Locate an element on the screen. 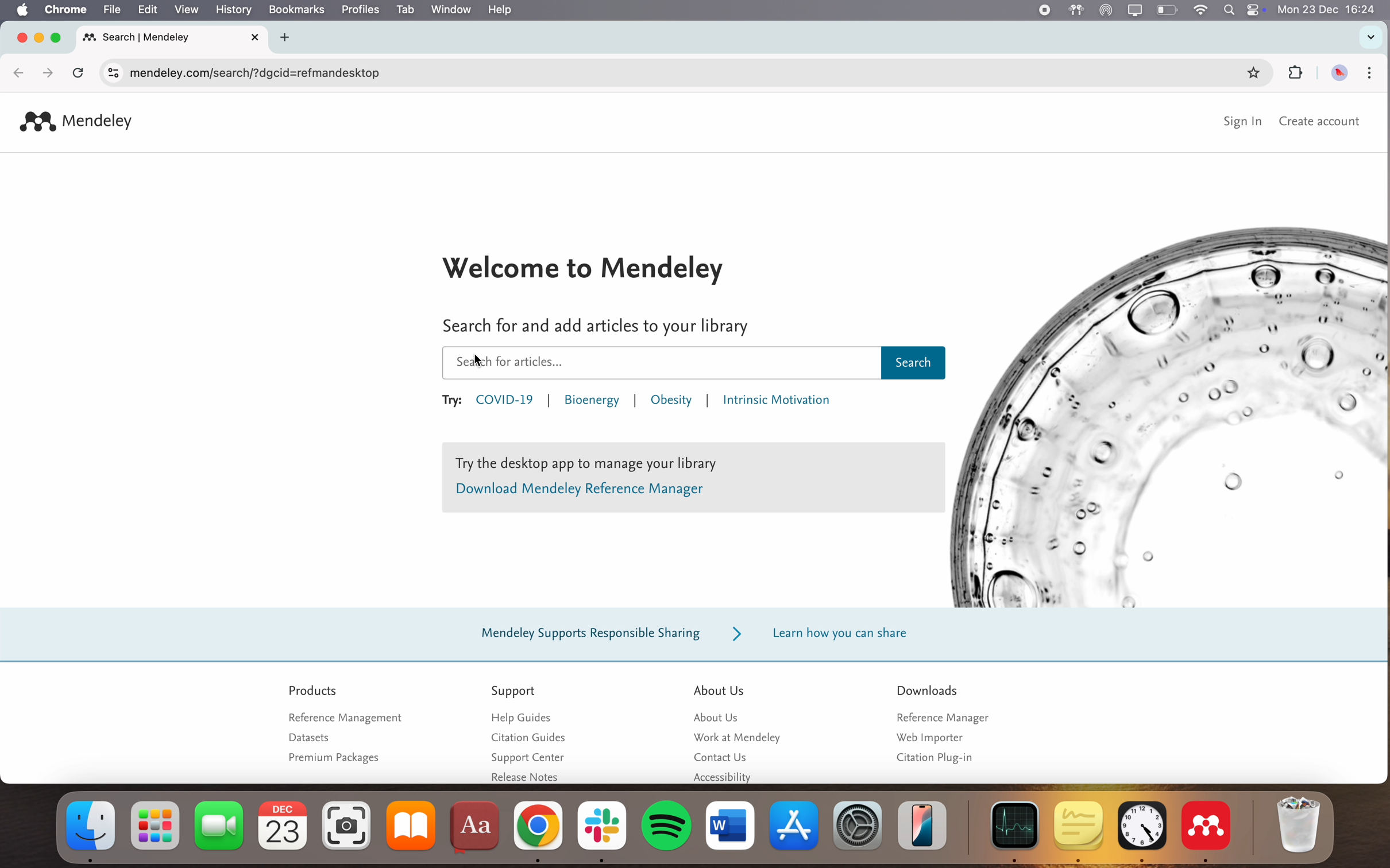  sign in is located at coordinates (1245, 123).